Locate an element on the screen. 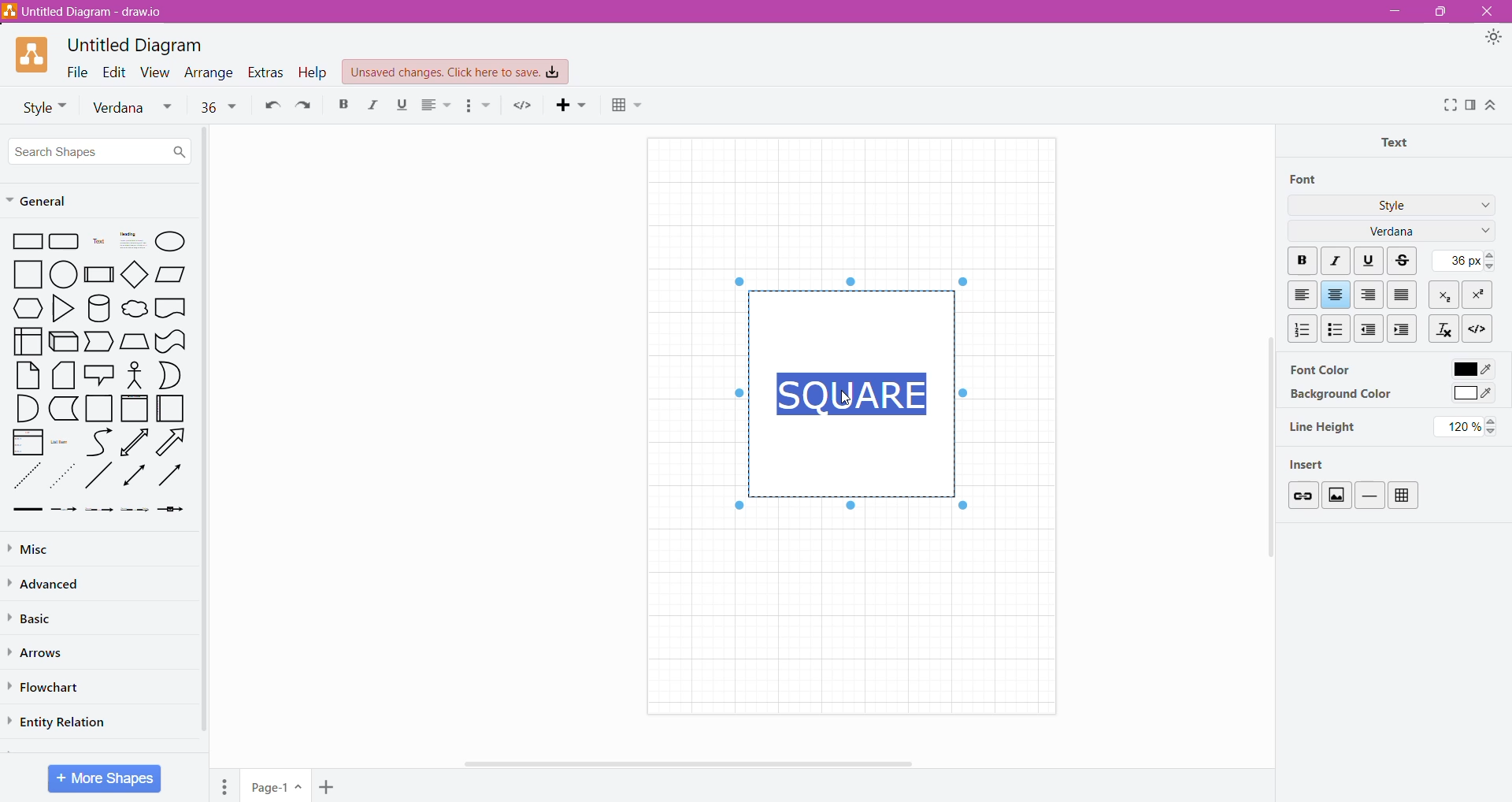  Rightward Thick Arrow is located at coordinates (171, 474).